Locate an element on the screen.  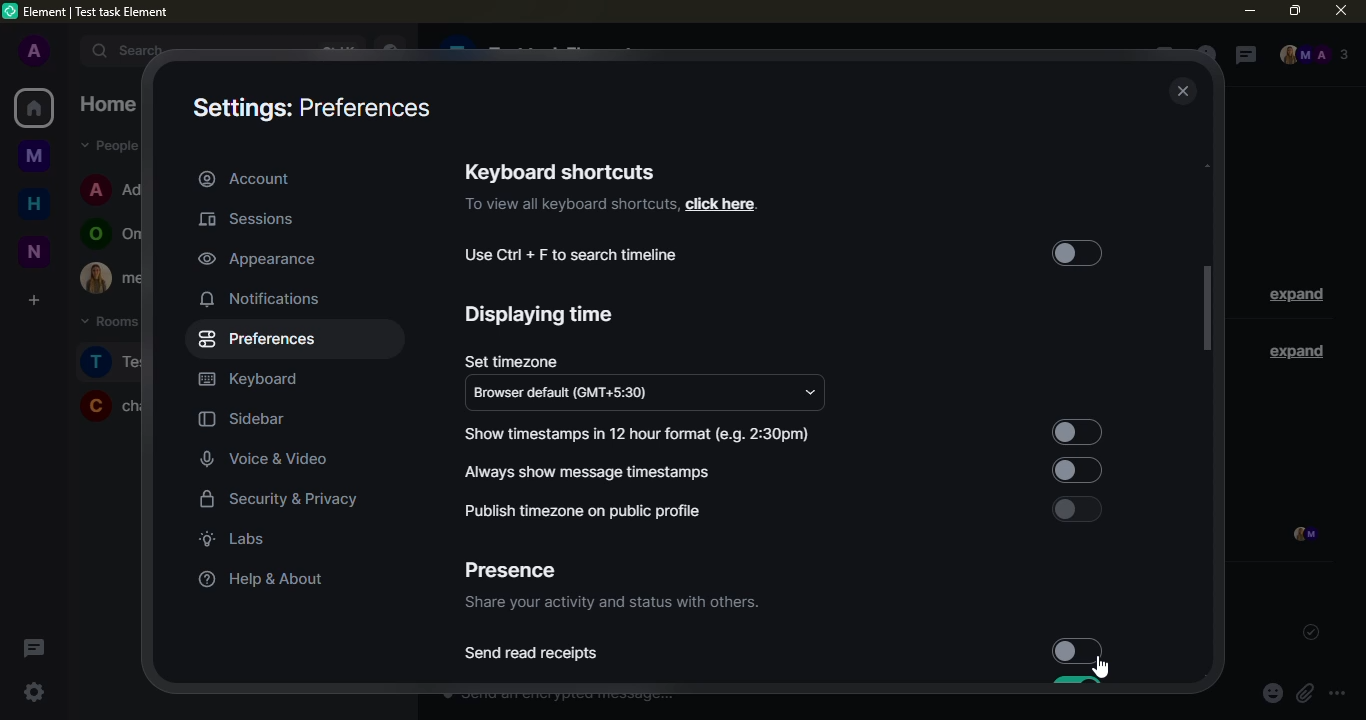
keyboard shortcuts is located at coordinates (560, 171).